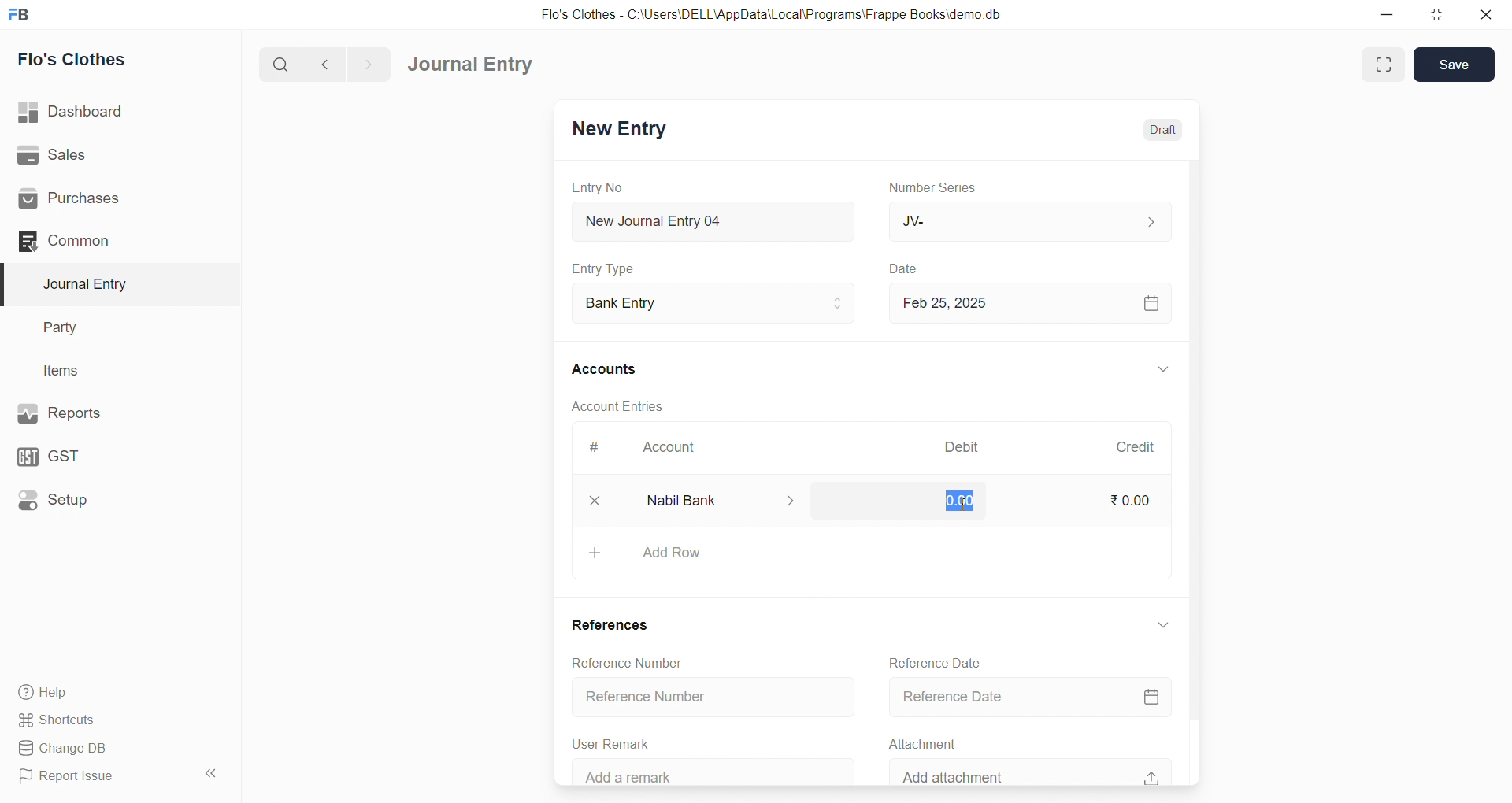  What do you see at coordinates (1027, 770) in the screenshot?
I see `Add attachment` at bounding box center [1027, 770].